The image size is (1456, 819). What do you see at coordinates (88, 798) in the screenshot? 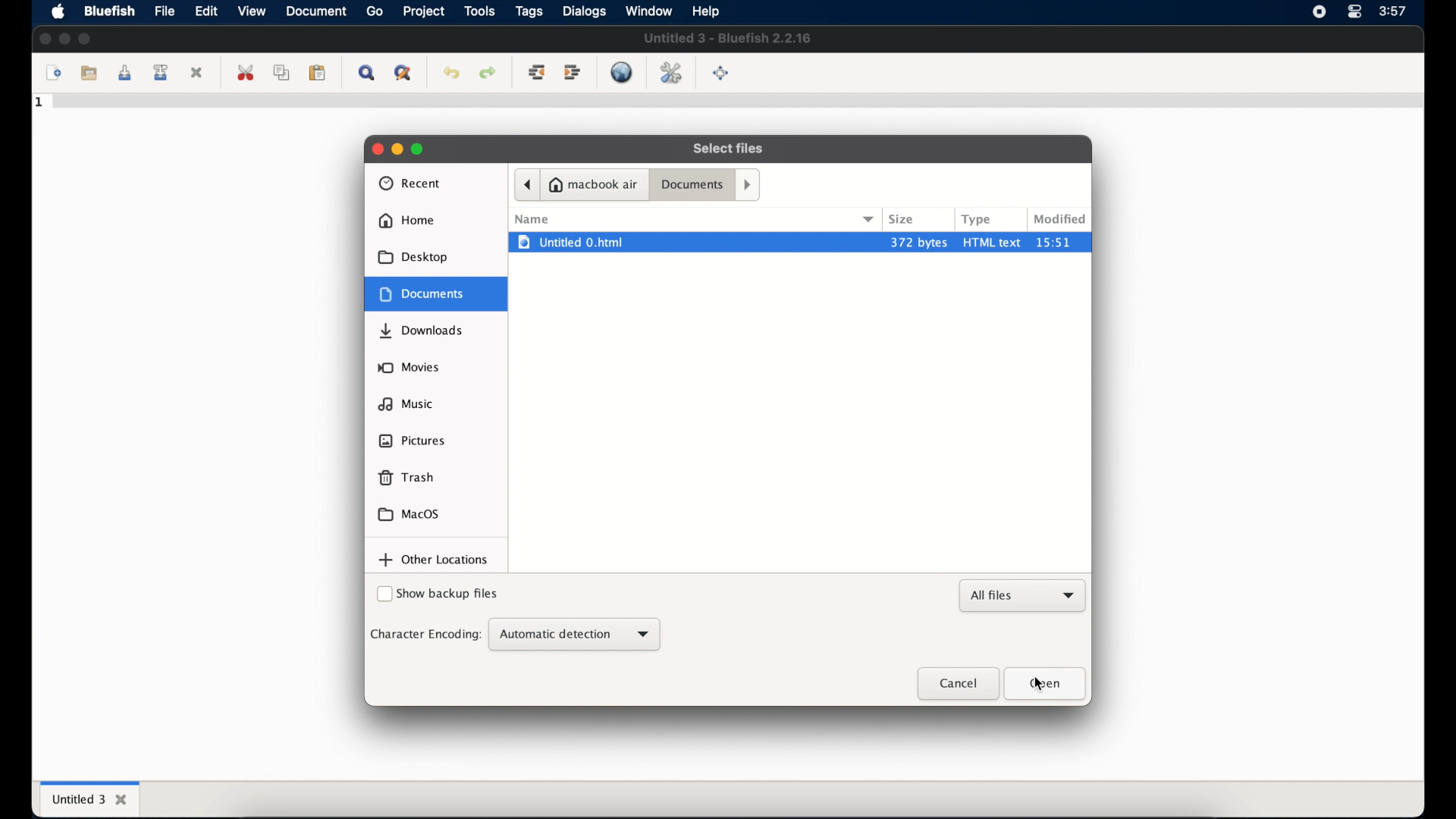
I see `untitled 3` at bounding box center [88, 798].